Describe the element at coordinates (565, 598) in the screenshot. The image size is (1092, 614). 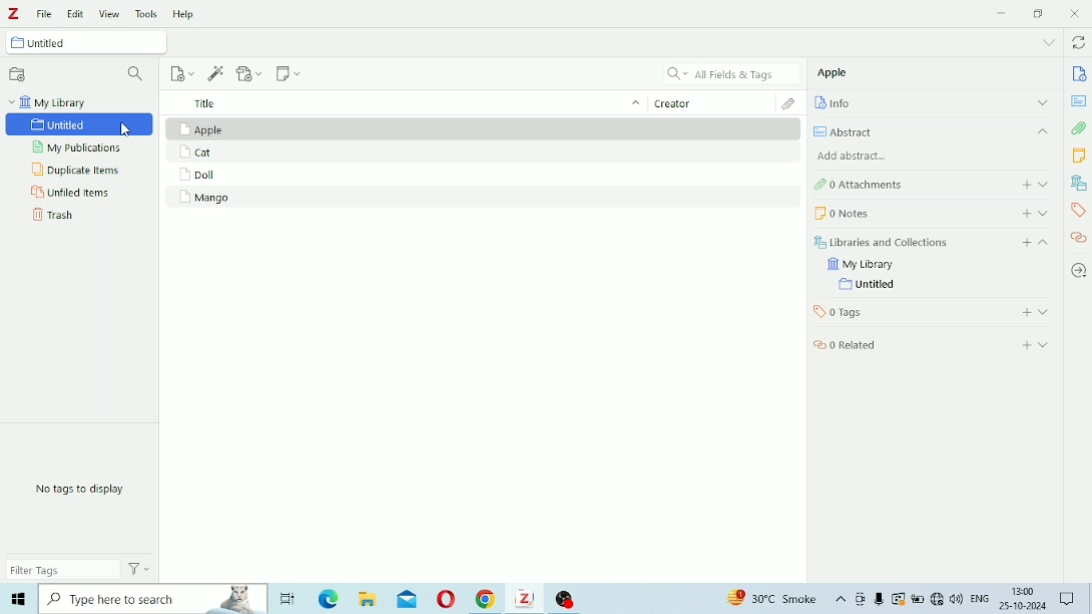
I see `` at that location.